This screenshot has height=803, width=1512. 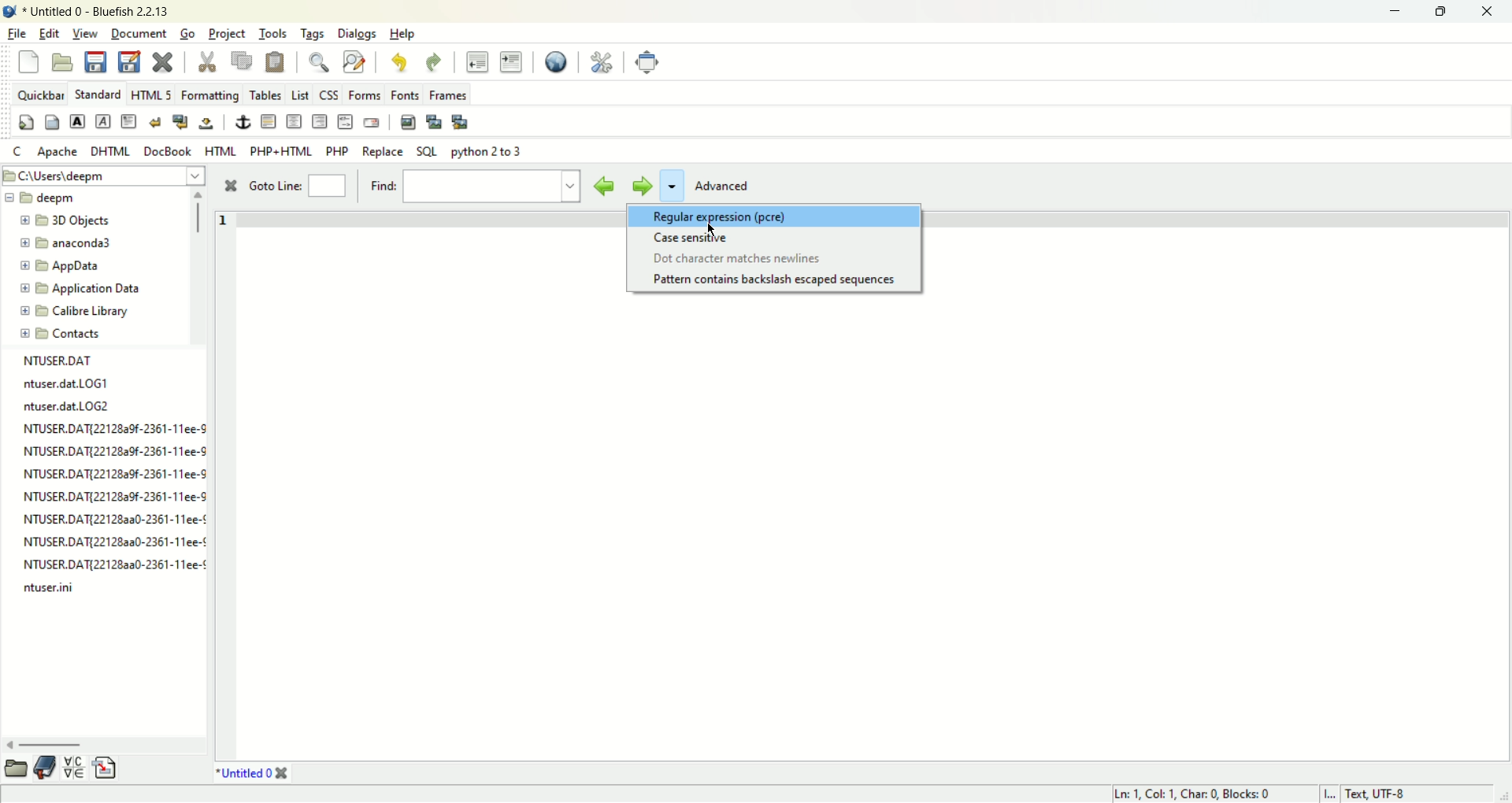 What do you see at coordinates (776, 217) in the screenshot?
I see `regular expression(pcre)` at bounding box center [776, 217].